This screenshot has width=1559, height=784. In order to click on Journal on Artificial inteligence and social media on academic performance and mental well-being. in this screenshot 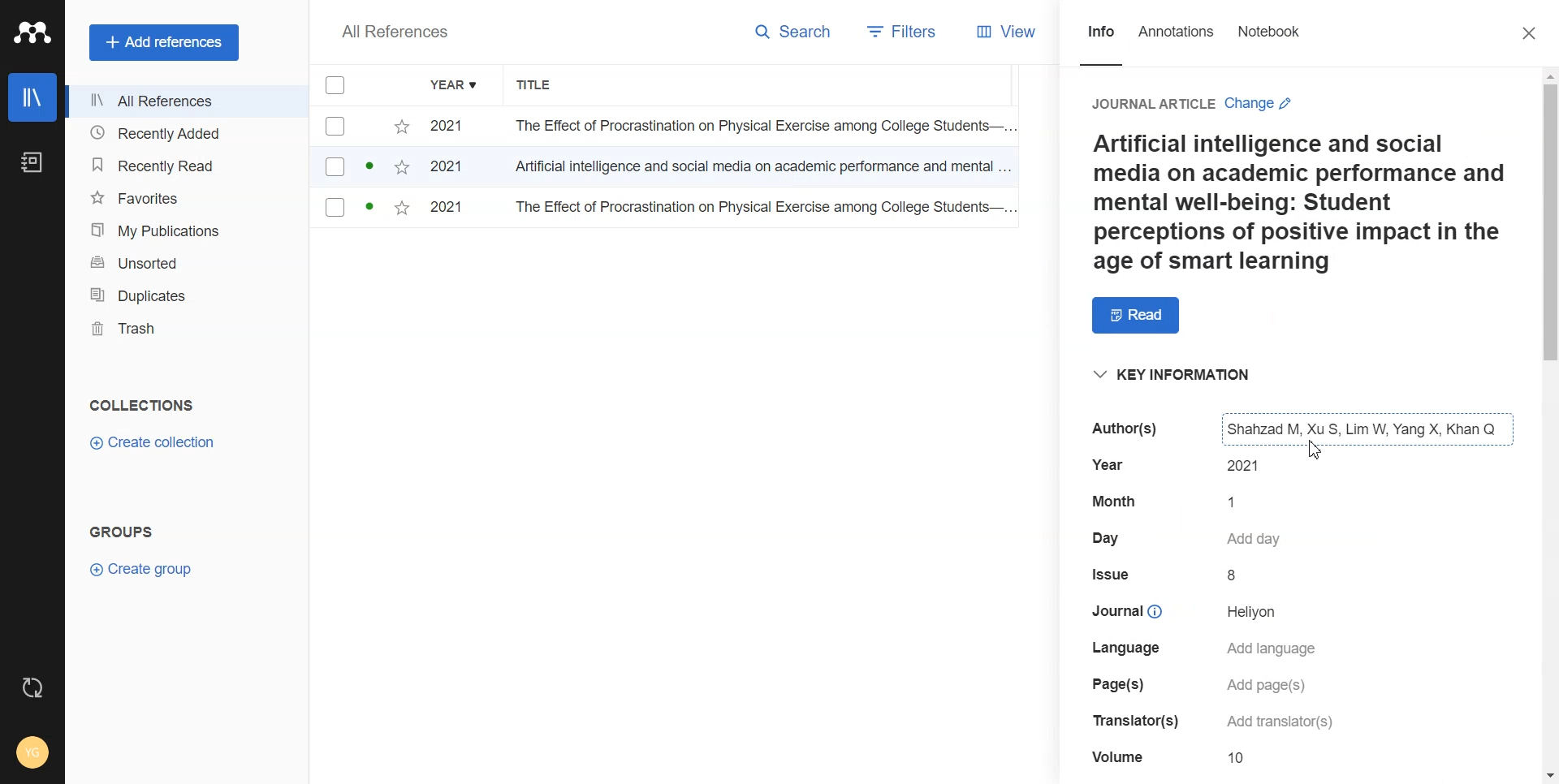, I will do `click(1298, 181)`.